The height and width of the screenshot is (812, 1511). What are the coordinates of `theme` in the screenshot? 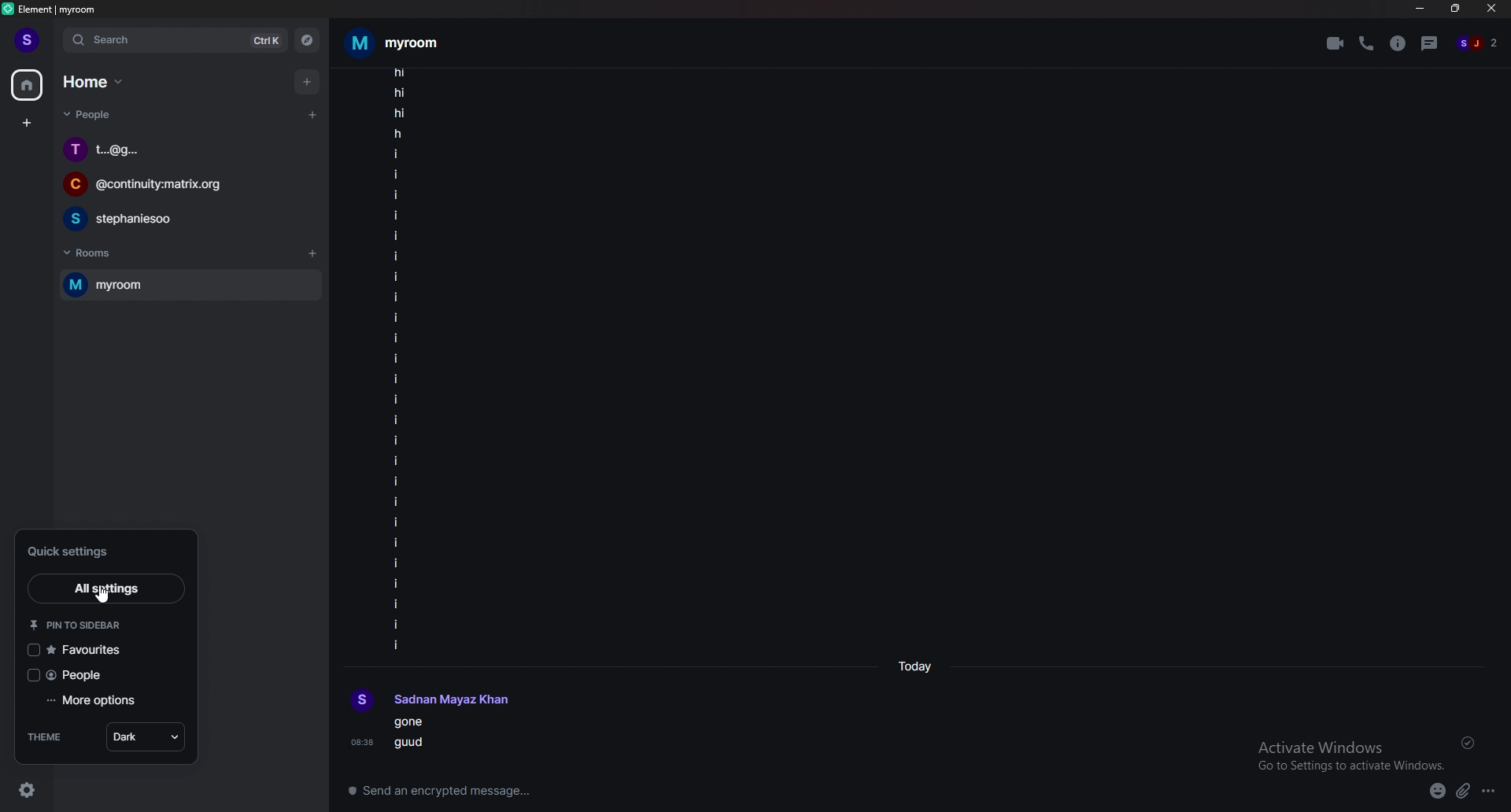 It's located at (50, 736).